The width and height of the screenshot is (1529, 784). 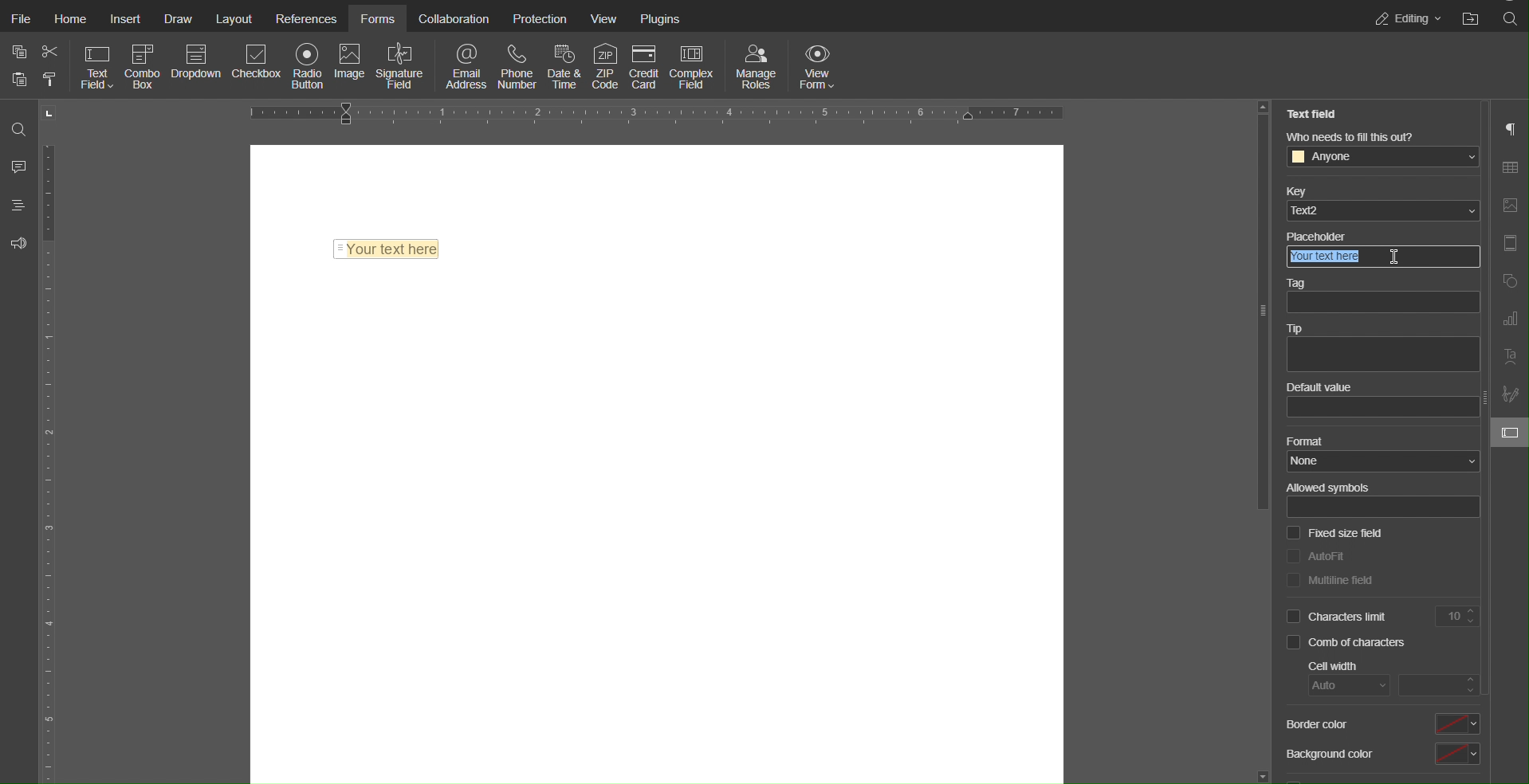 I want to click on Credit Card, so click(x=645, y=66).